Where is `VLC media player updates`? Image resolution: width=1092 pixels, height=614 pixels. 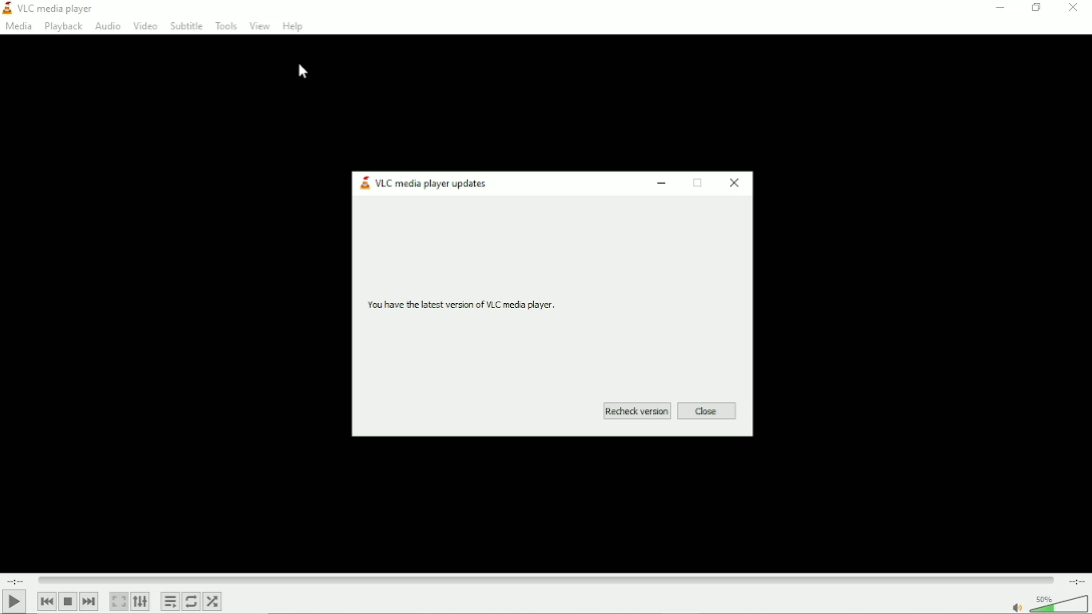 VLC media player updates is located at coordinates (432, 184).